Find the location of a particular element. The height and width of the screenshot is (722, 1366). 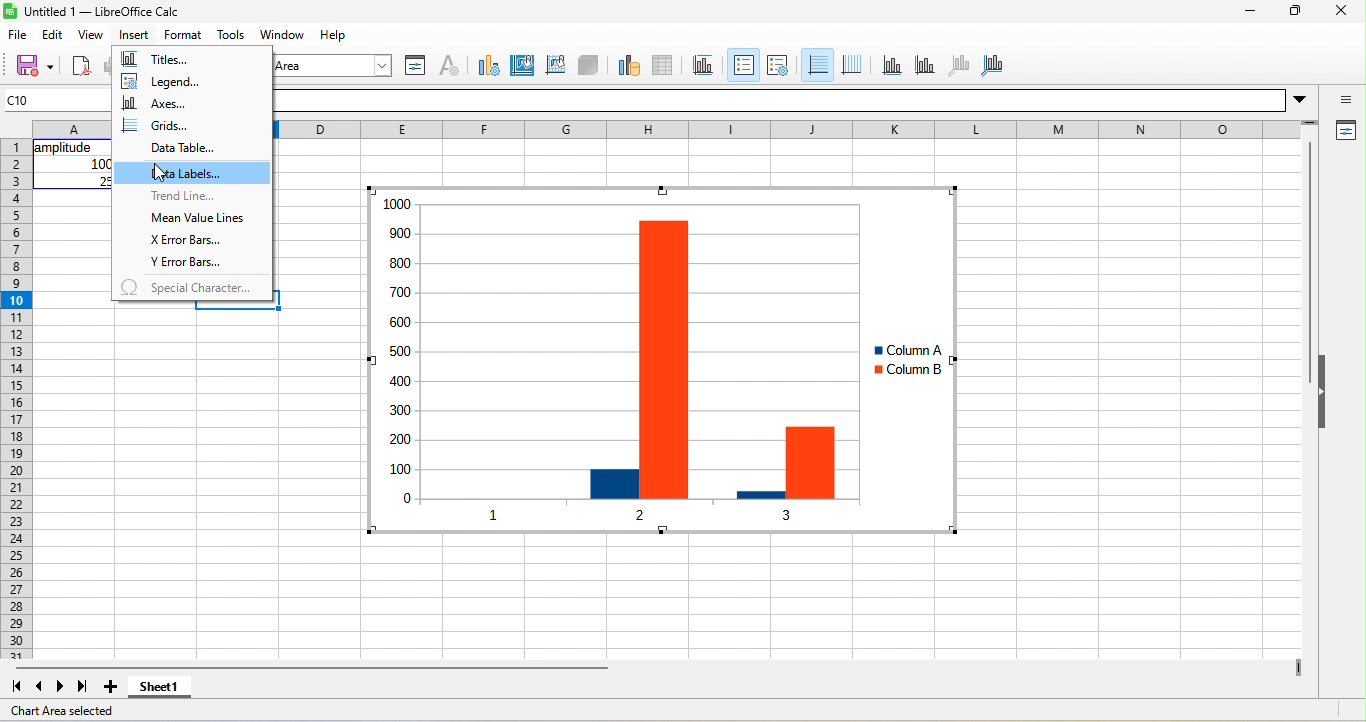

edit is located at coordinates (56, 34).